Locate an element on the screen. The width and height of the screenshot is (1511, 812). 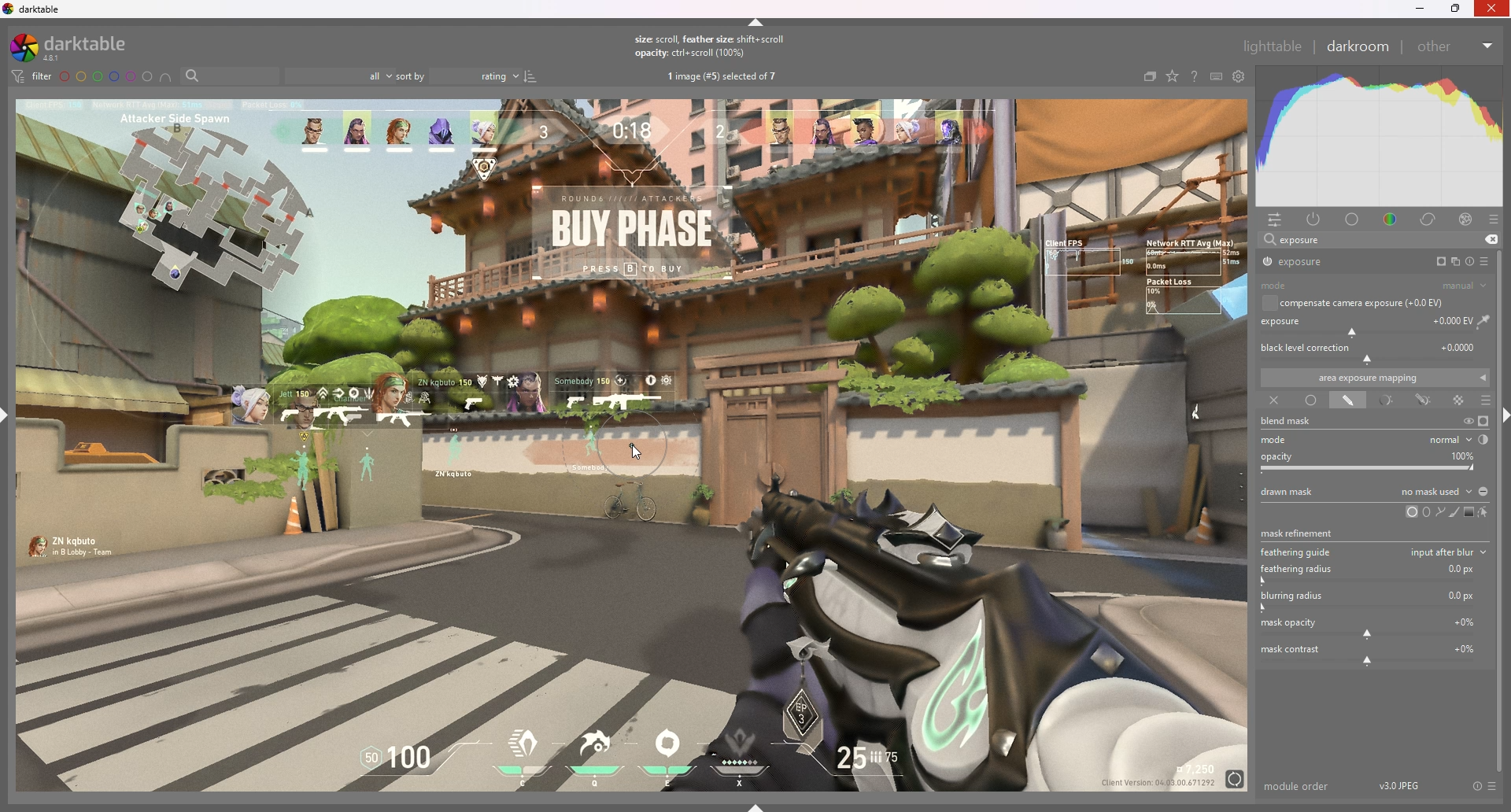
images selected is located at coordinates (724, 77).